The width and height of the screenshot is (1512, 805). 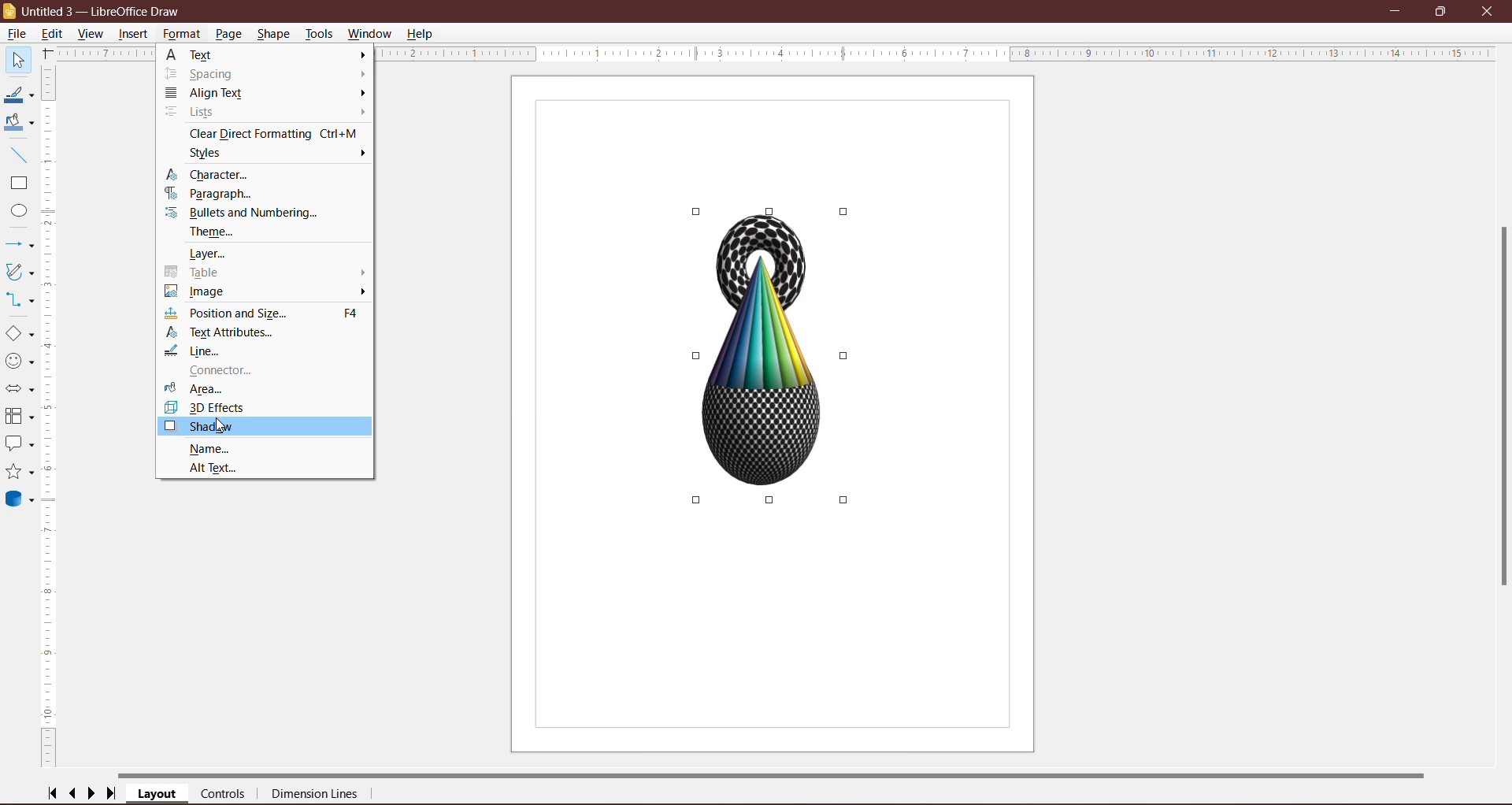 I want to click on Close, so click(x=1490, y=12).